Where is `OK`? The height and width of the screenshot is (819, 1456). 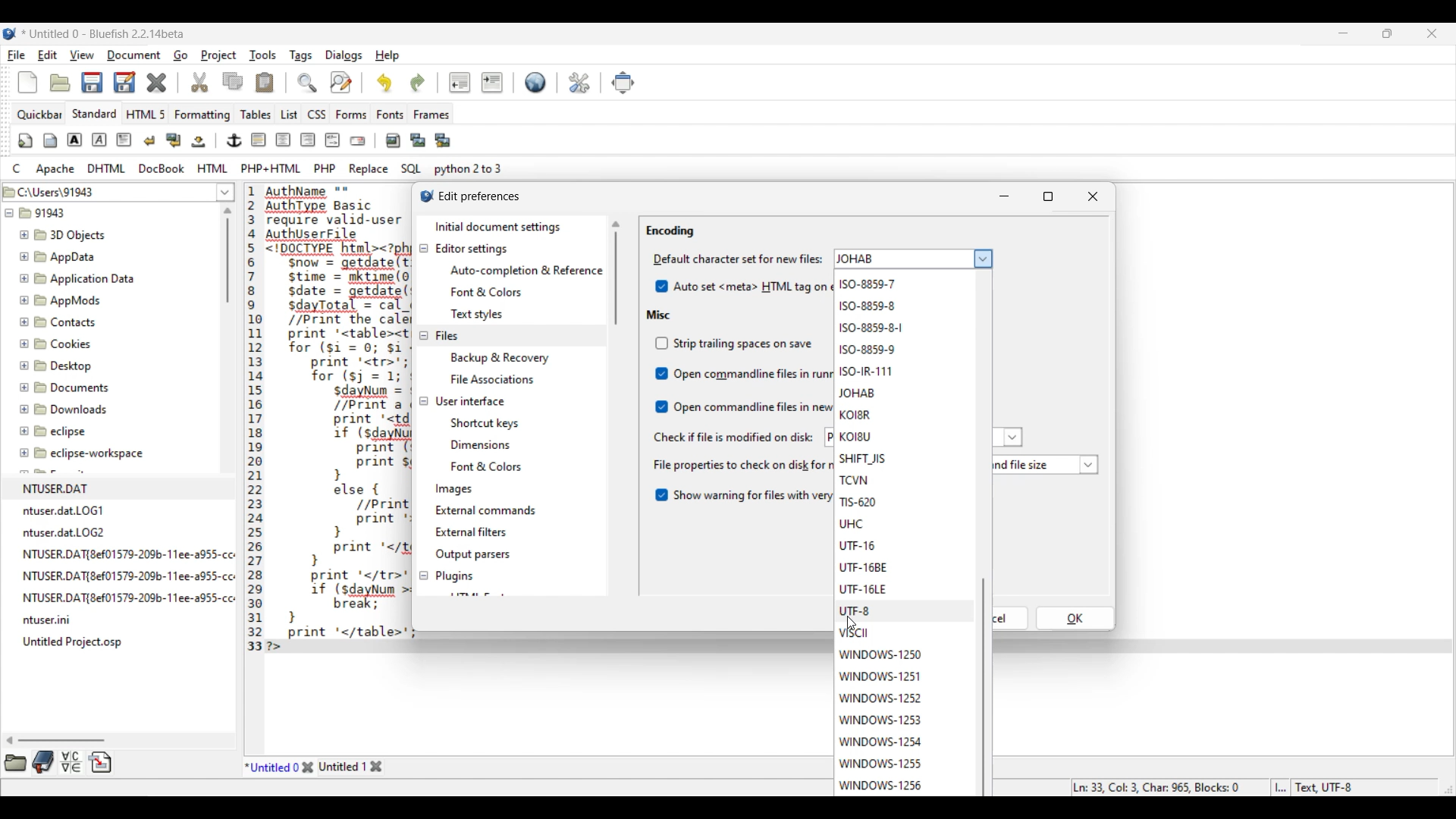
OK is located at coordinates (1009, 617).